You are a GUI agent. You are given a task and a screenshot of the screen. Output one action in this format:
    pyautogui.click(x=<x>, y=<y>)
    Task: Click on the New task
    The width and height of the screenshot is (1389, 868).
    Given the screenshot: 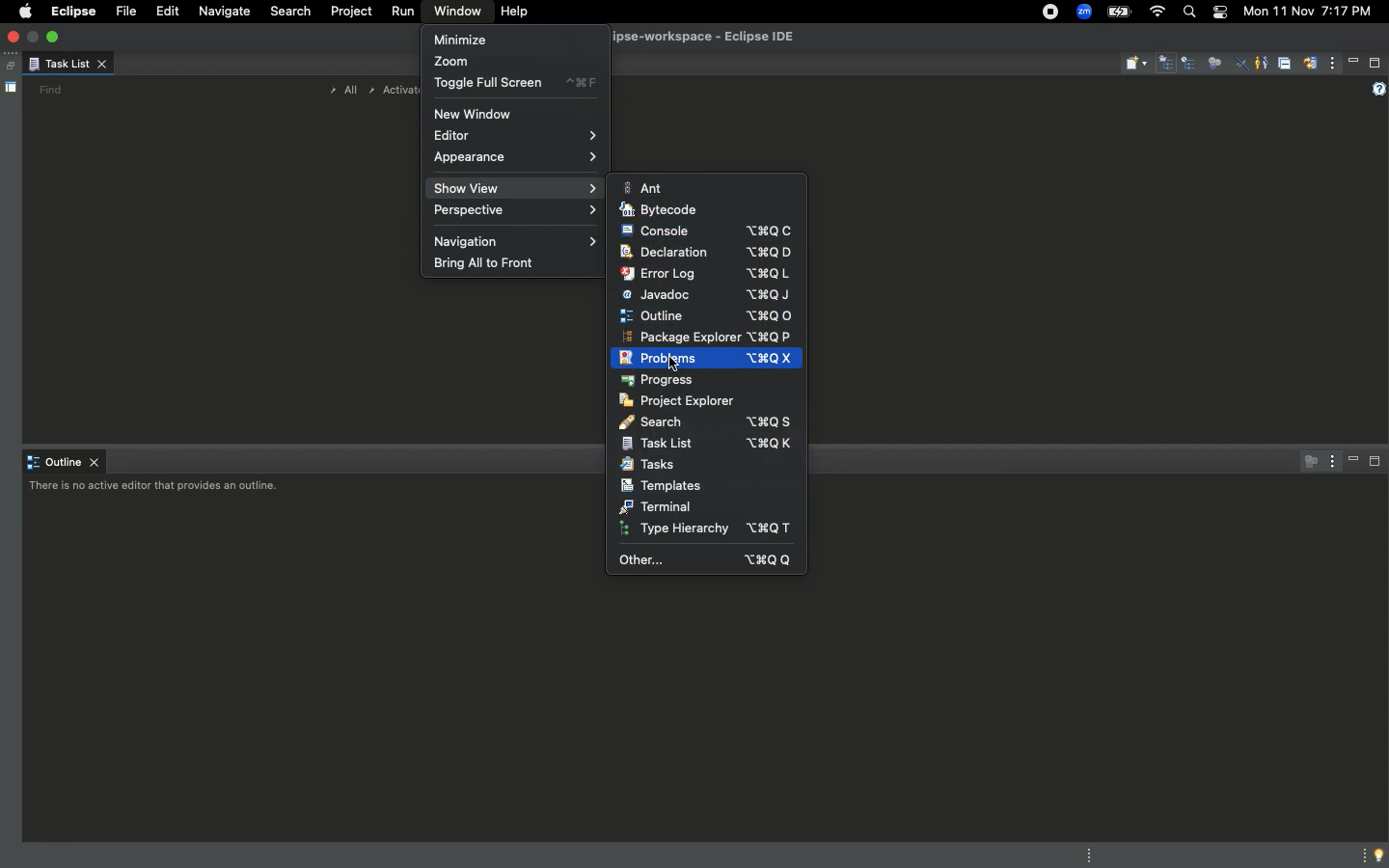 What is the action you would take?
    pyautogui.click(x=1136, y=64)
    